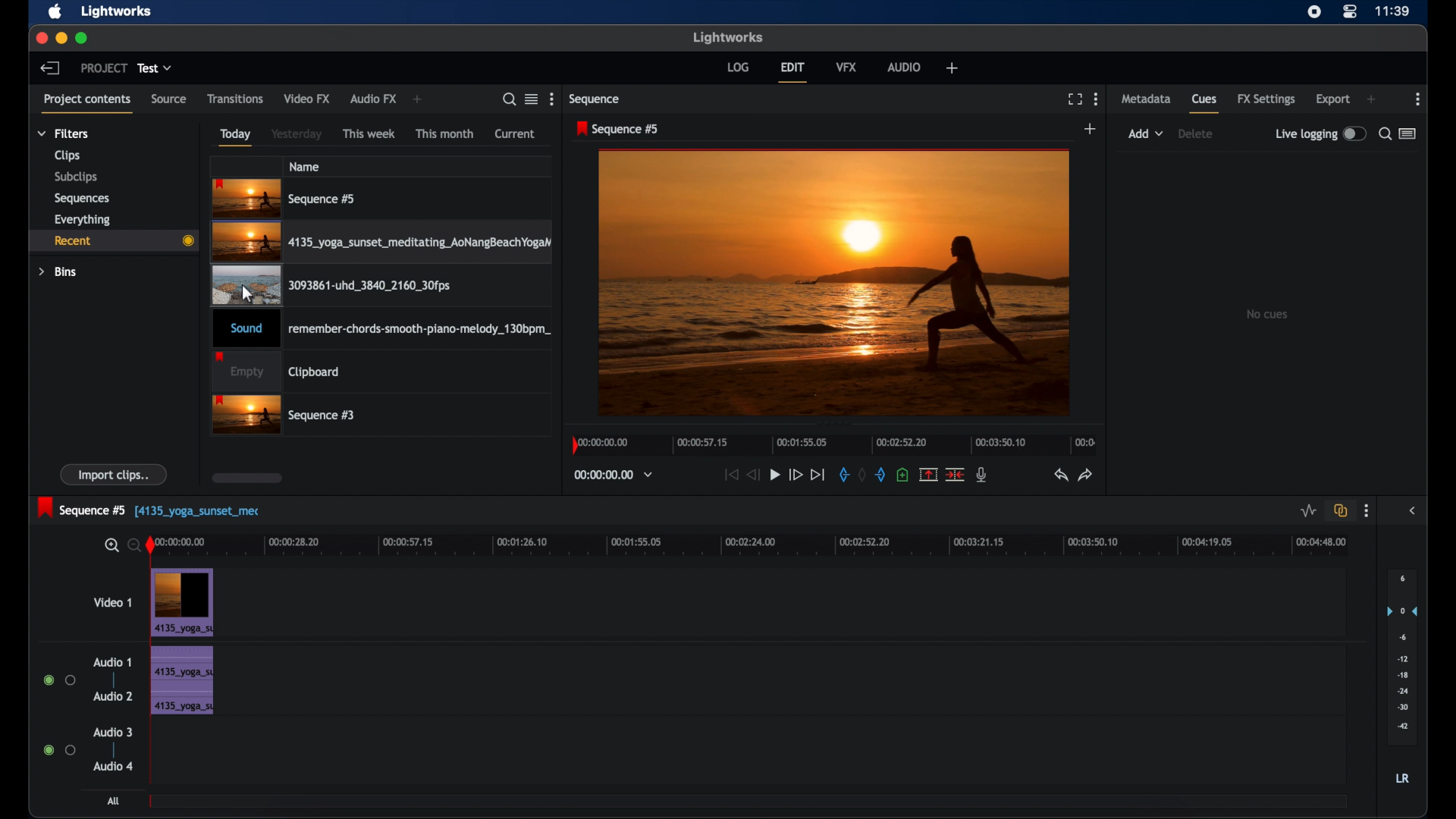 The height and width of the screenshot is (819, 1456). Describe the element at coordinates (276, 371) in the screenshot. I see `clipboard` at that location.